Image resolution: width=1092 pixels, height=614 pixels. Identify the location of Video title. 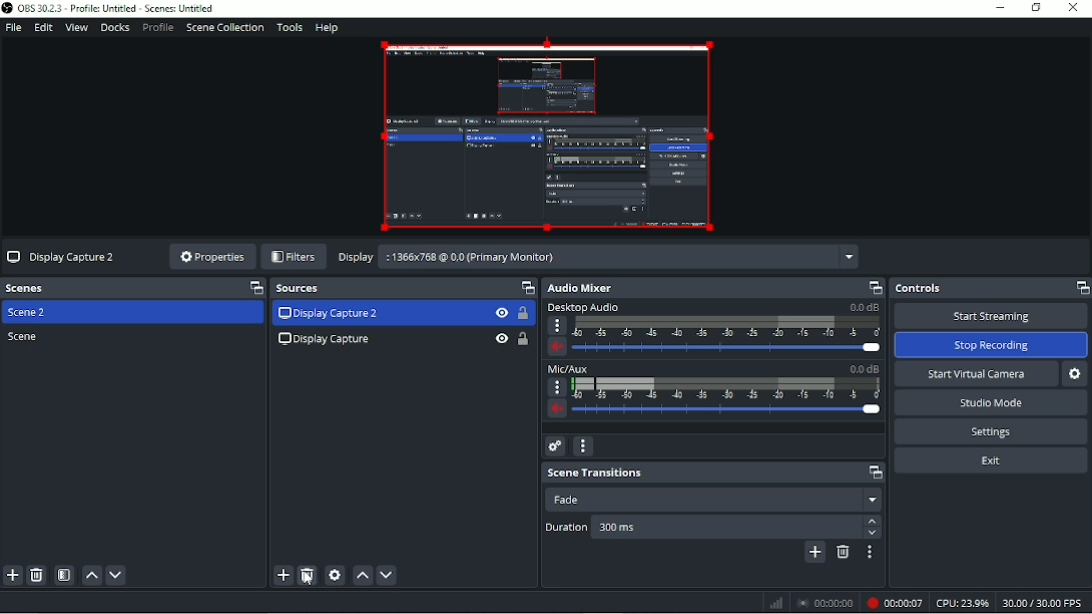
(61, 256).